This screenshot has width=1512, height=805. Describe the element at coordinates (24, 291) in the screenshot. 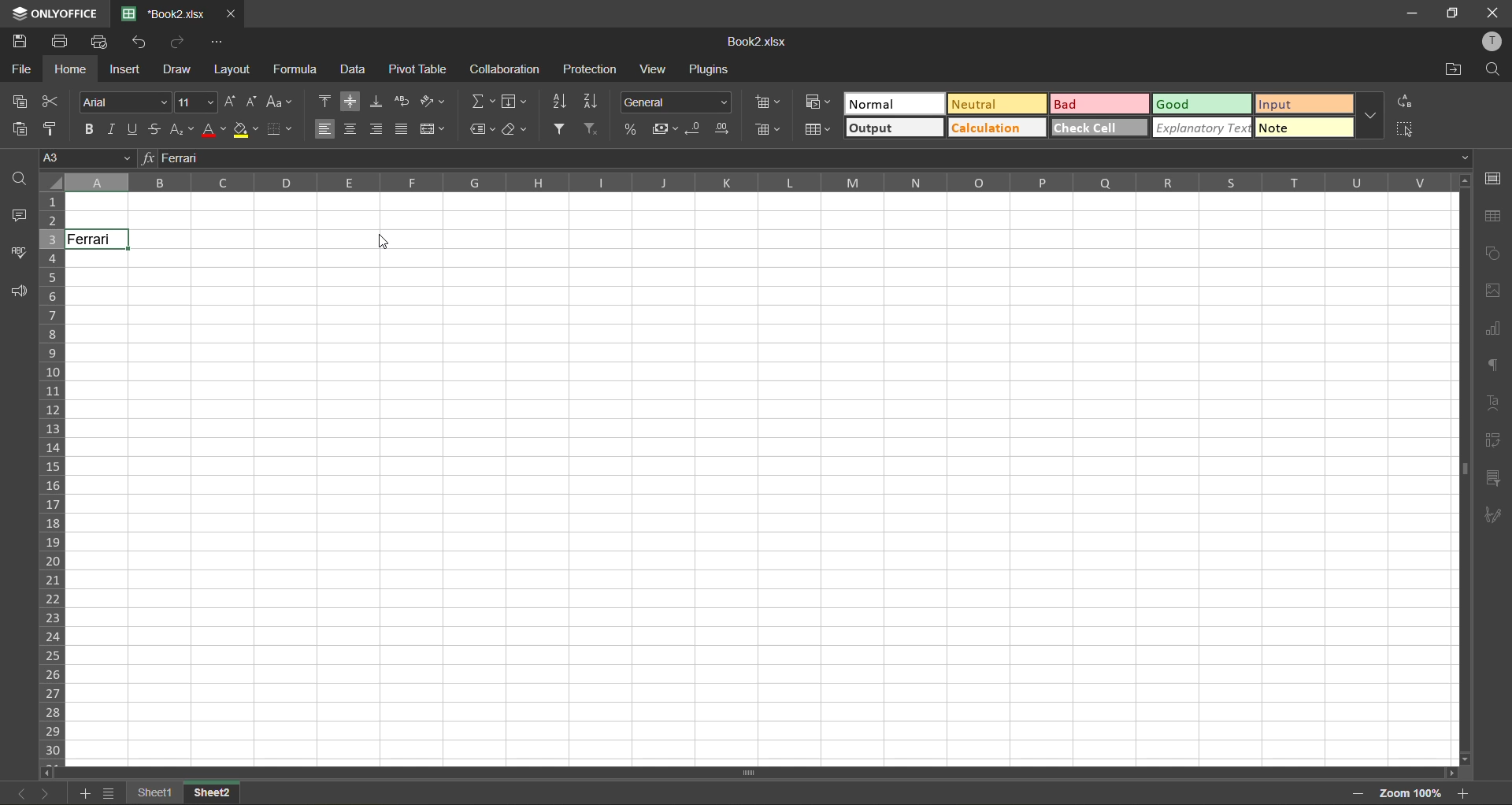

I see `feedback` at that location.